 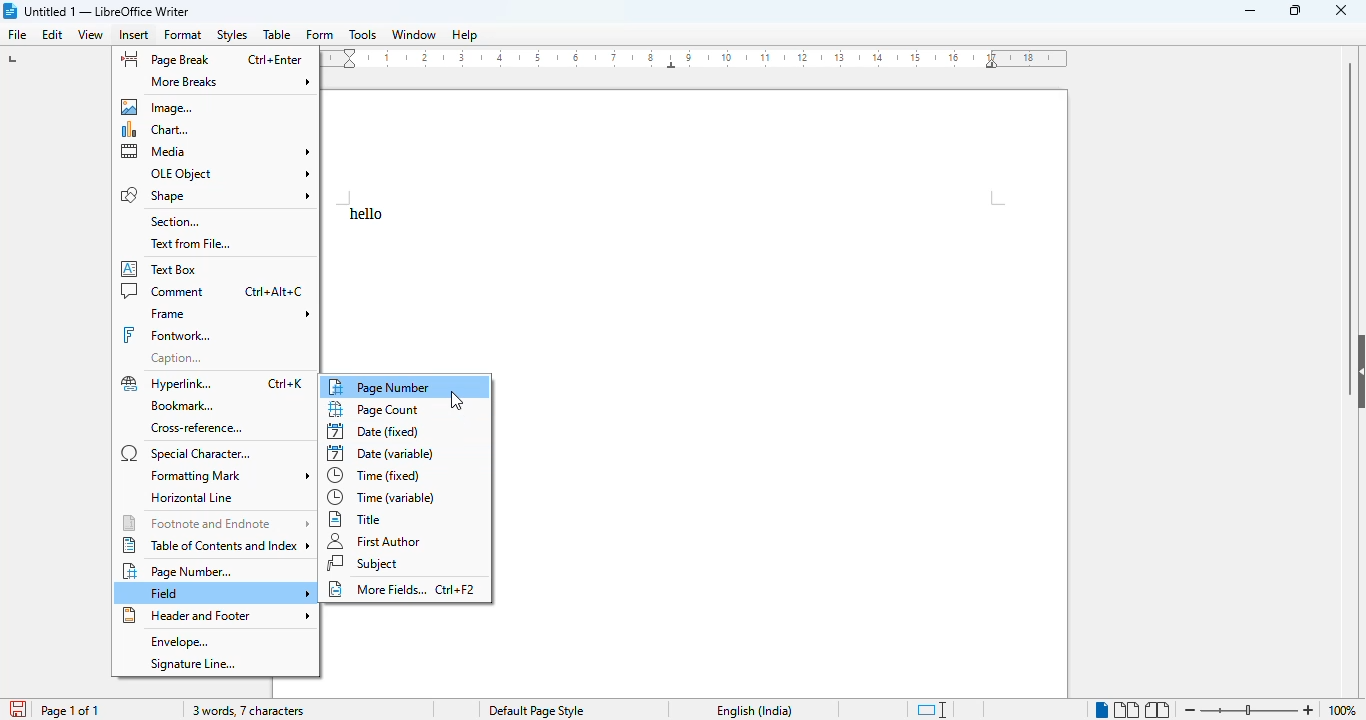 What do you see at coordinates (180, 406) in the screenshot?
I see `bookmark` at bounding box center [180, 406].